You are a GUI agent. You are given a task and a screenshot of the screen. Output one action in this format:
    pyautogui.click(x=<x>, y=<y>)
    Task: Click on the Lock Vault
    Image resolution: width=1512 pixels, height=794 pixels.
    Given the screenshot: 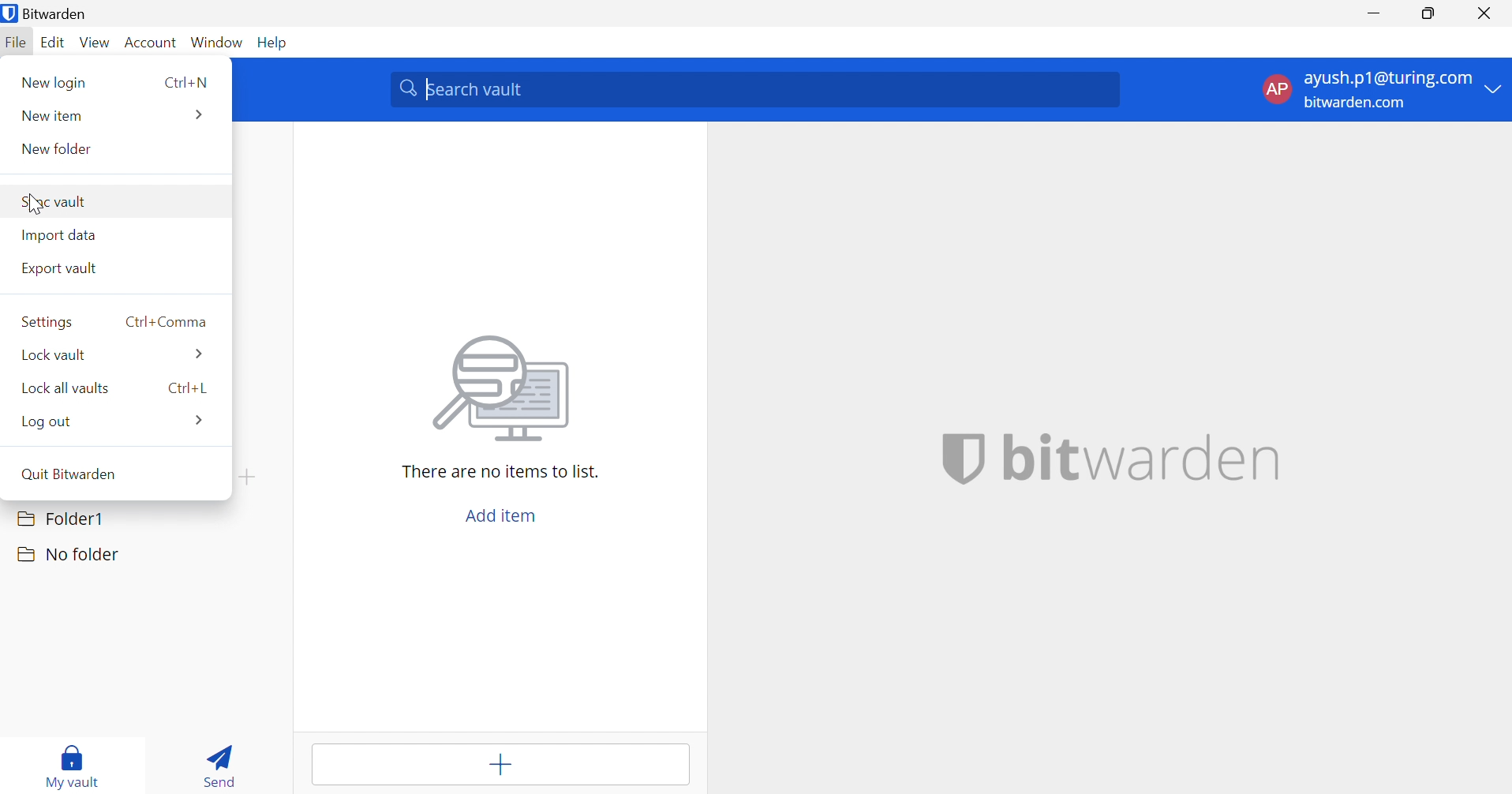 What is the action you would take?
    pyautogui.click(x=55, y=354)
    